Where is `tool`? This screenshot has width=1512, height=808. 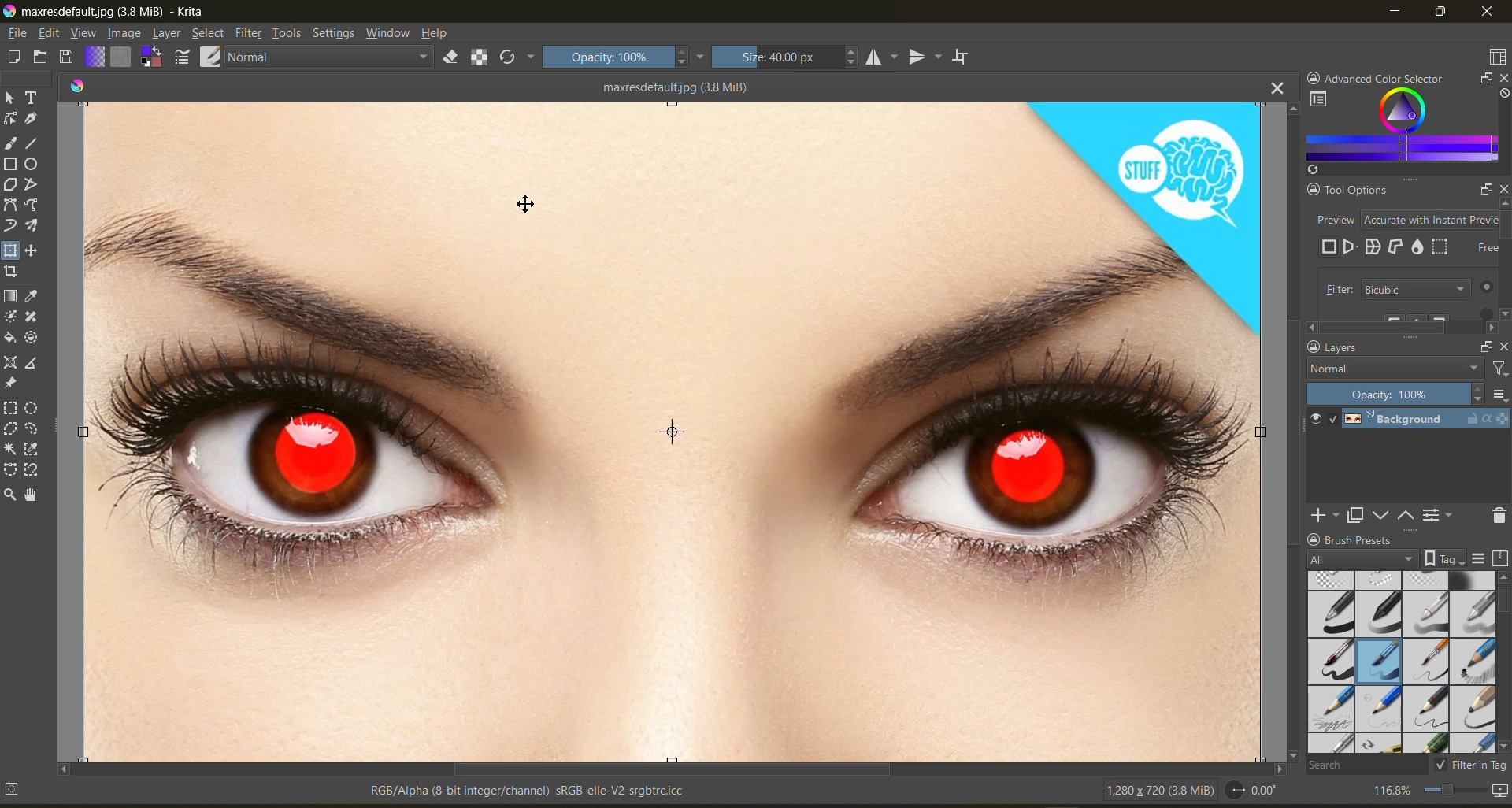
tool is located at coordinates (32, 365).